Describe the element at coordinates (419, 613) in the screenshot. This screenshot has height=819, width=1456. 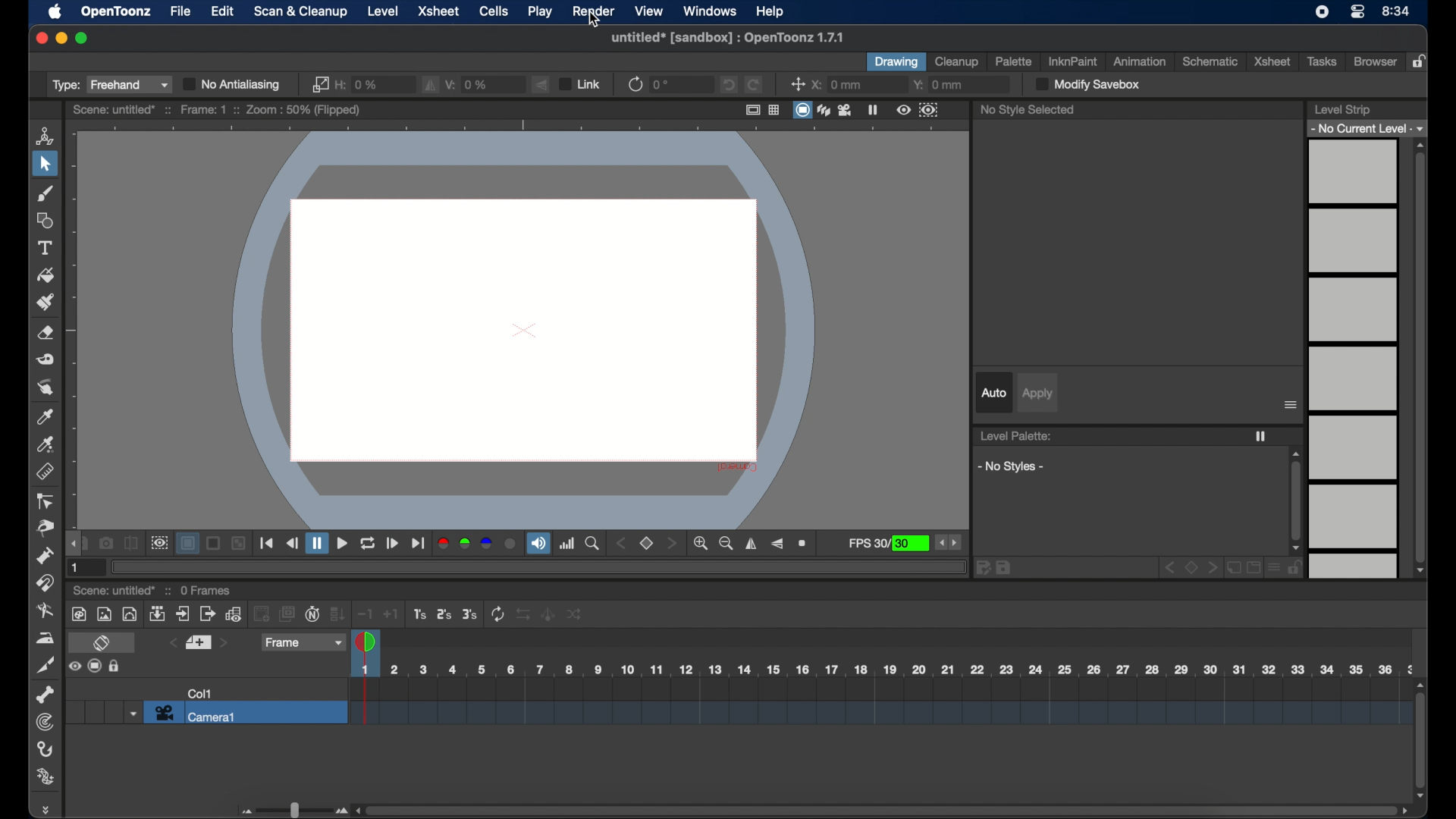
I see `` at that location.